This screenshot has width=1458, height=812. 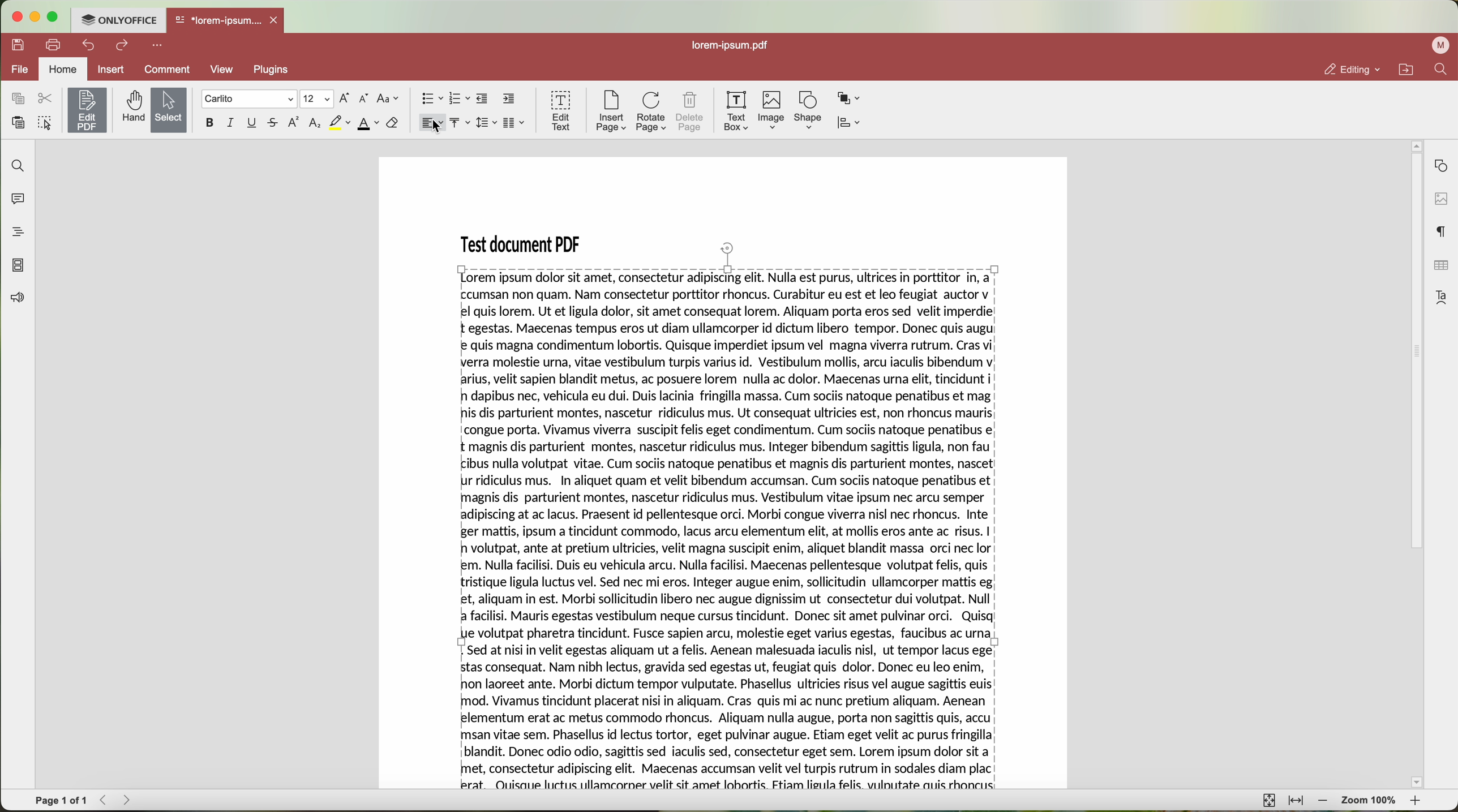 What do you see at coordinates (113, 801) in the screenshot?
I see `navigate arrows` at bounding box center [113, 801].